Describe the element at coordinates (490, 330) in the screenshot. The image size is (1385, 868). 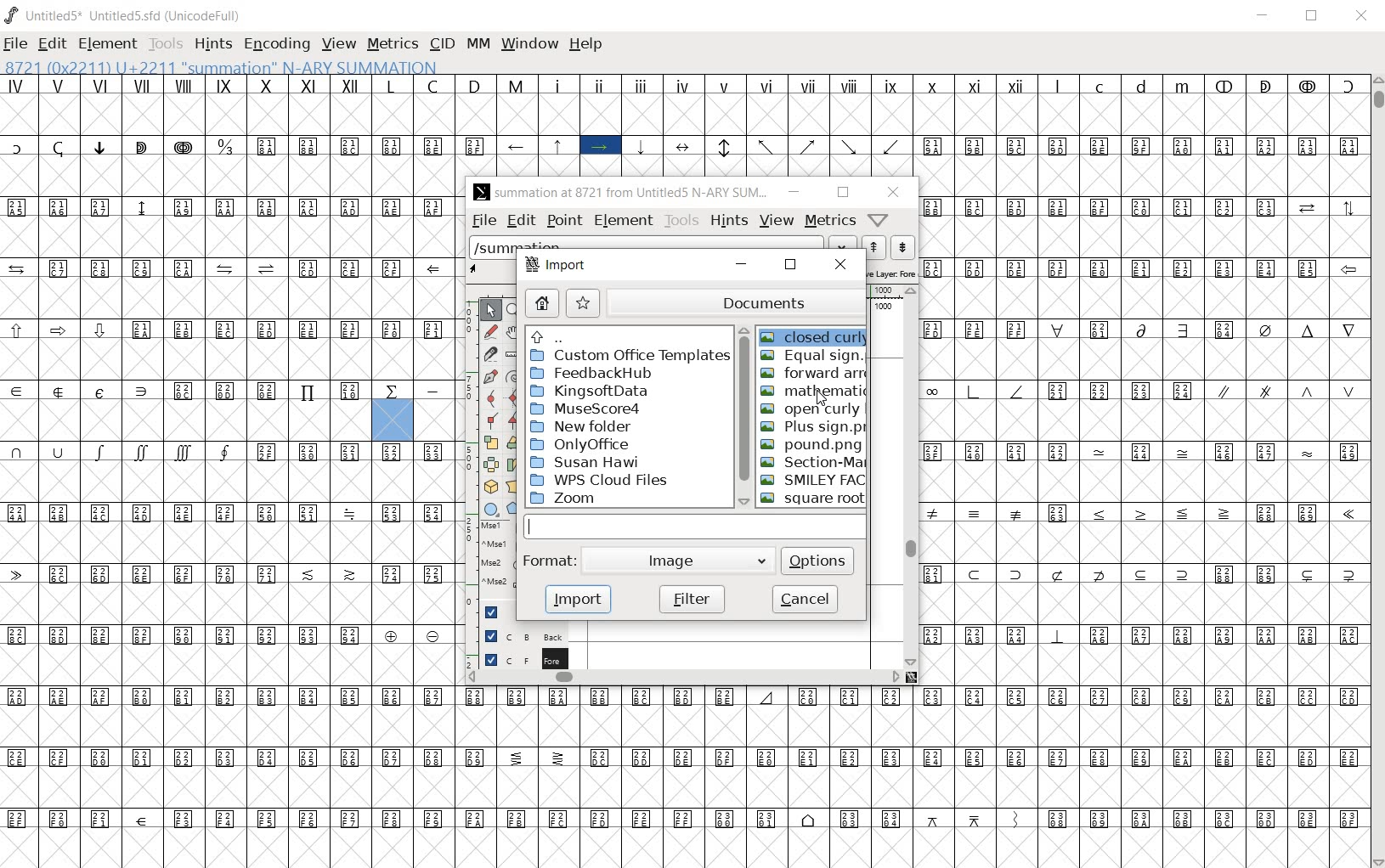
I see `draw a freehand curve` at that location.